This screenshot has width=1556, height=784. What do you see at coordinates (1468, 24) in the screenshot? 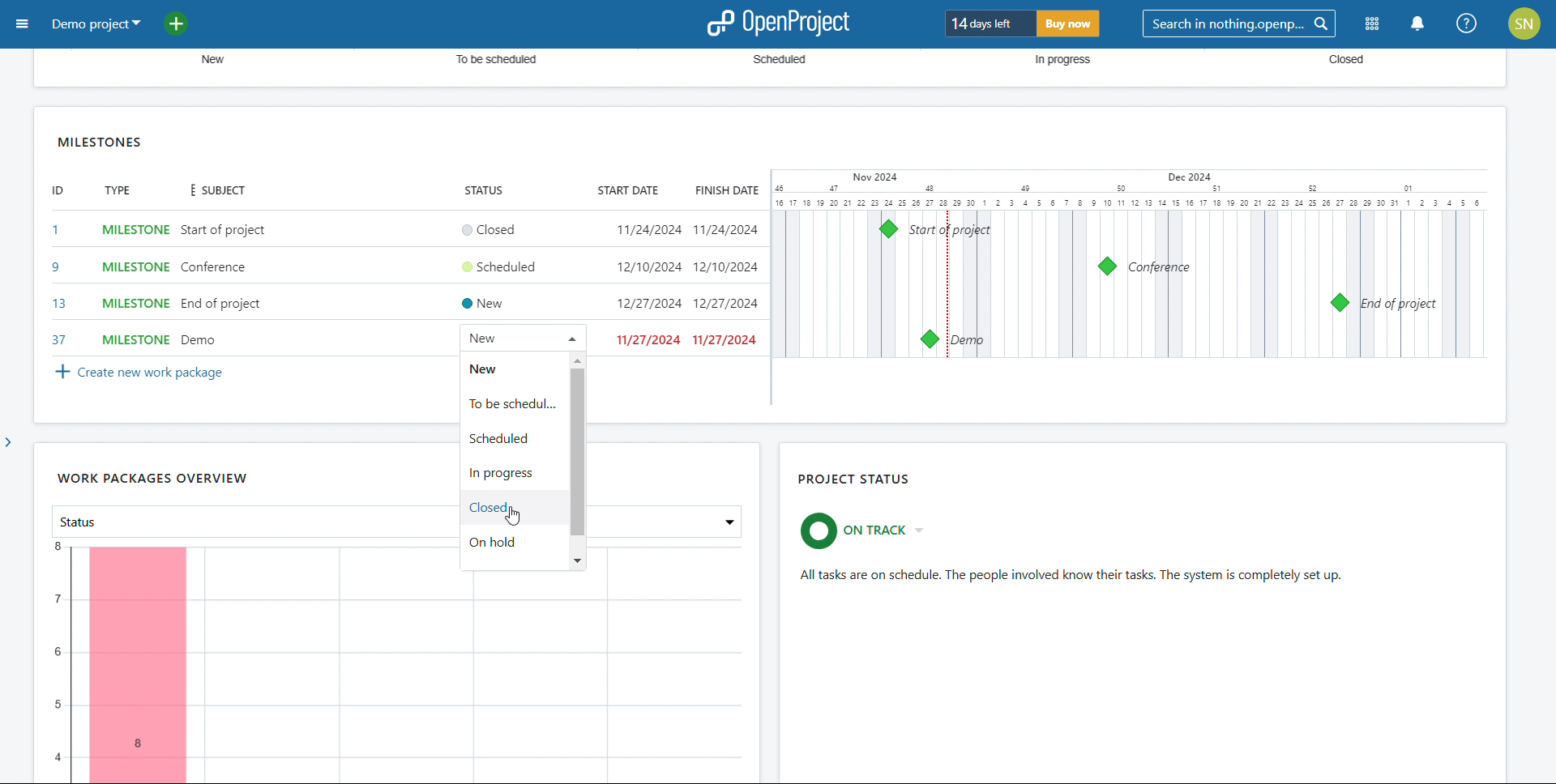
I see `help` at bounding box center [1468, 24].